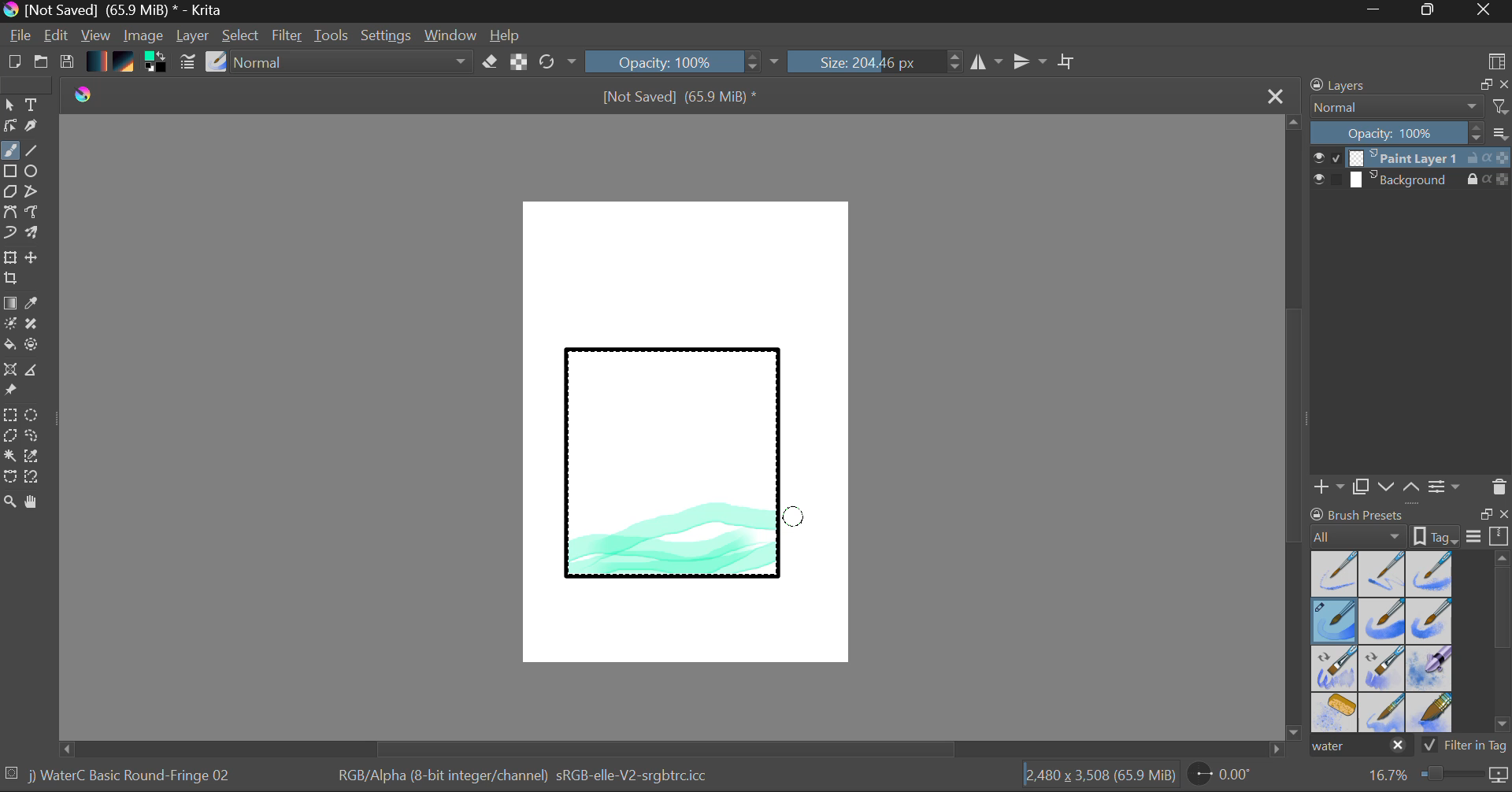  Describe the element at coordinates (90, 97) in the screenshot. I see `logo` at that location.